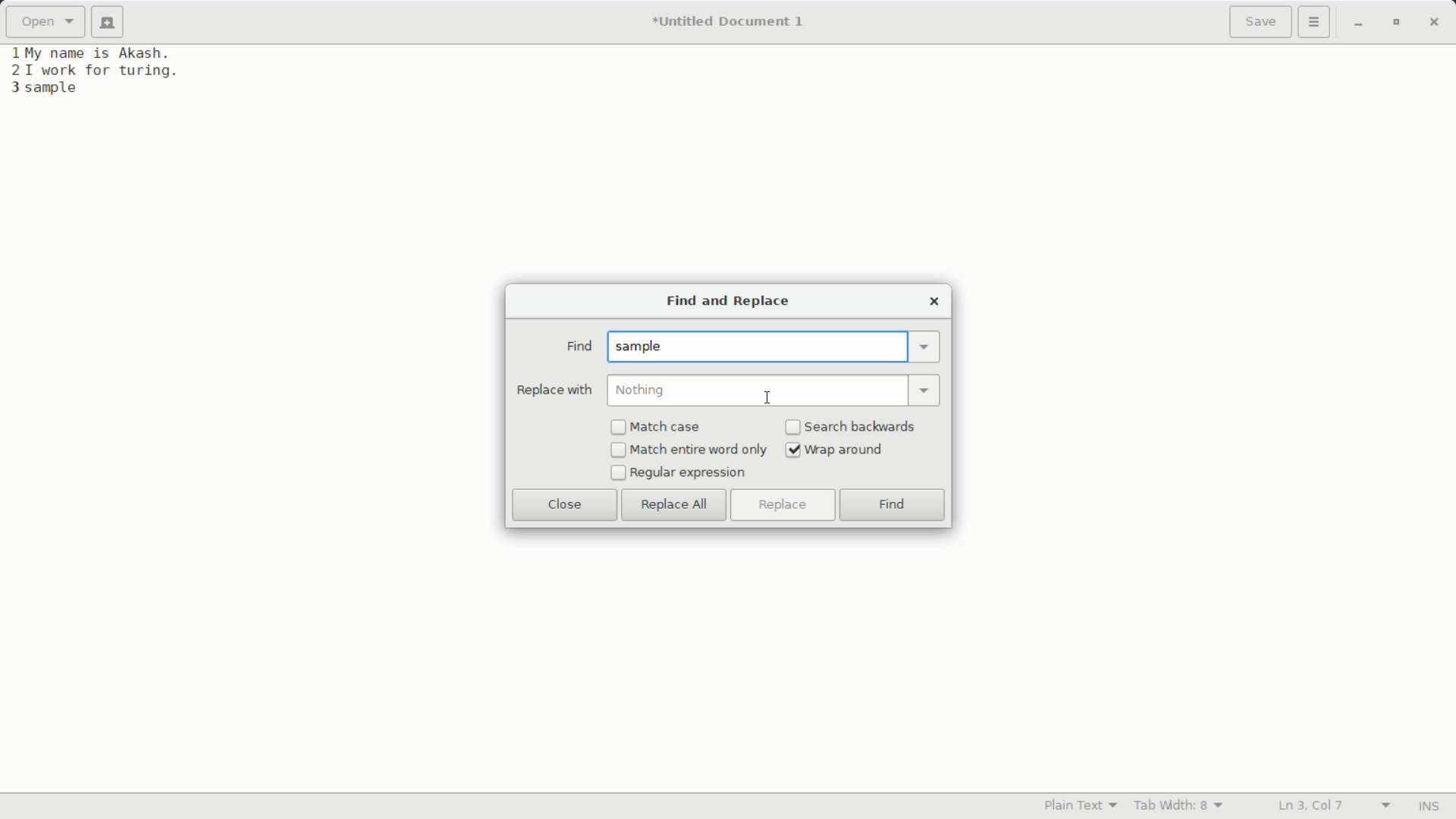 The image size is (1456, 819). What do you see at coordinates (1332, 806) in the screenshot?
I see `lines and columns` at bounding box center [1332, 806].